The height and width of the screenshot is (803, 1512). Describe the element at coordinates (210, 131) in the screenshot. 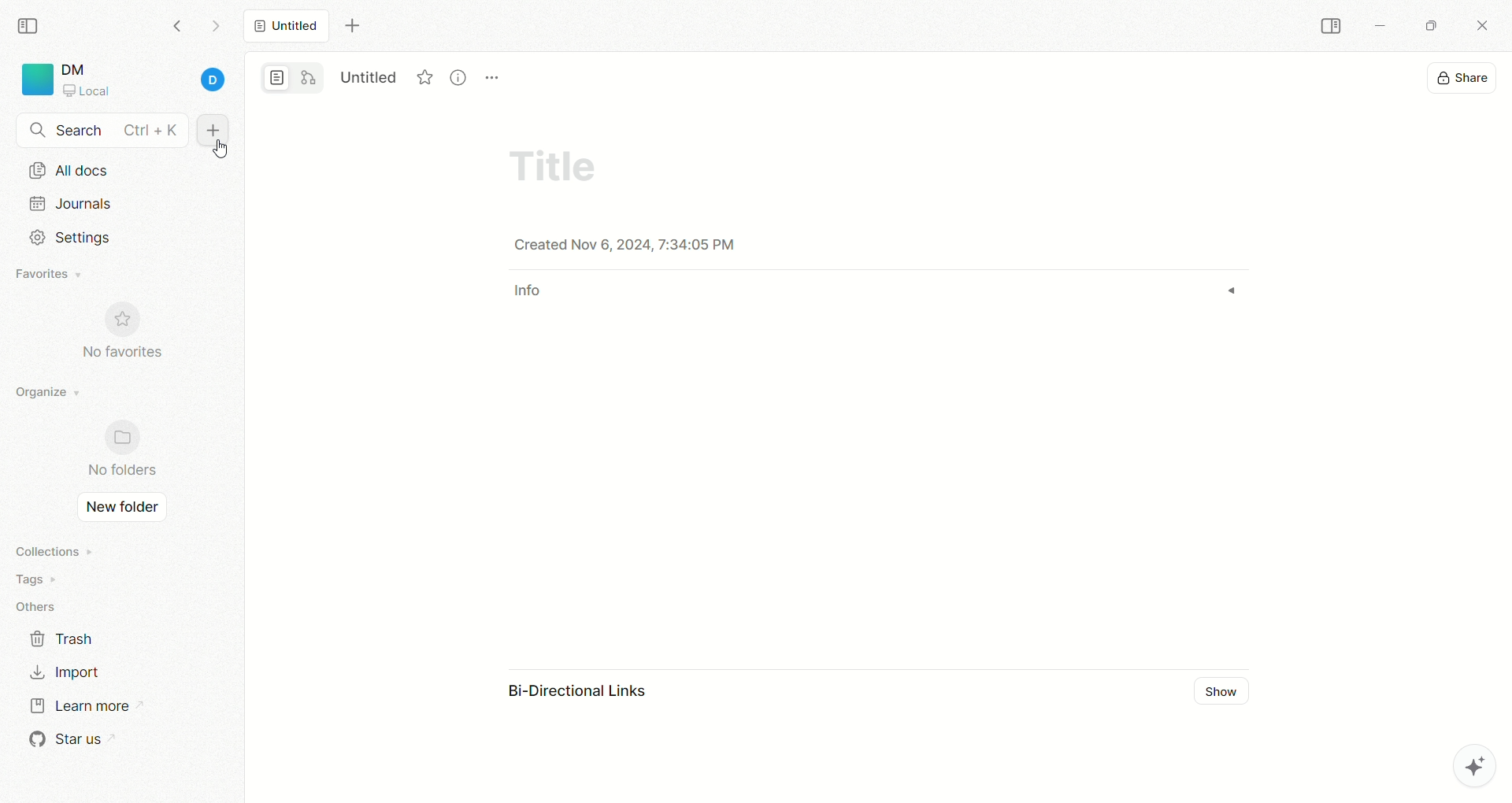

I see `new document` at that location.